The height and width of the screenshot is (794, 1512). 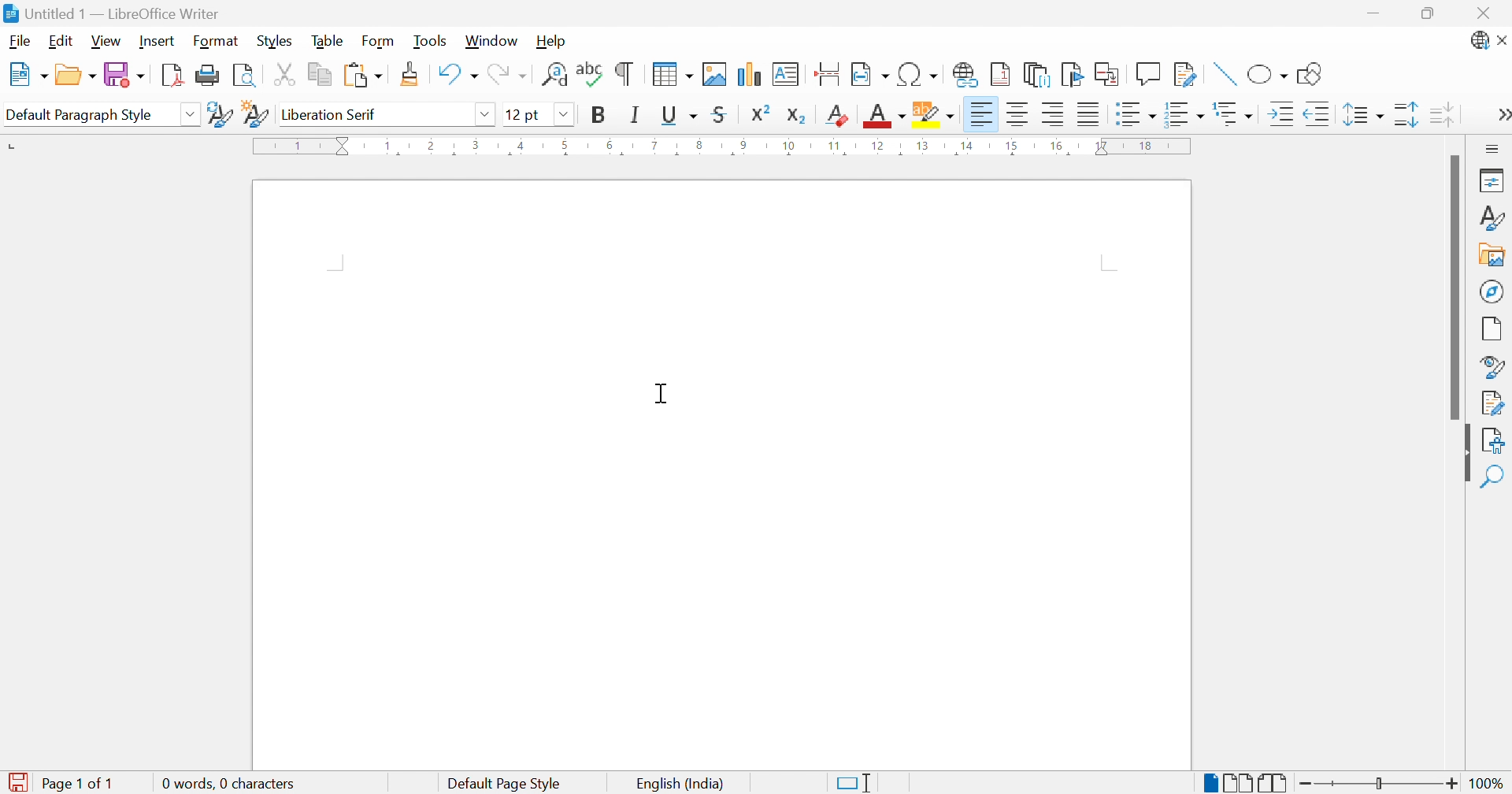 What do you see at coordinates (1494, 148) in the screenshot?
I see `Sidebar settings` at bounding box center [1494, 148].